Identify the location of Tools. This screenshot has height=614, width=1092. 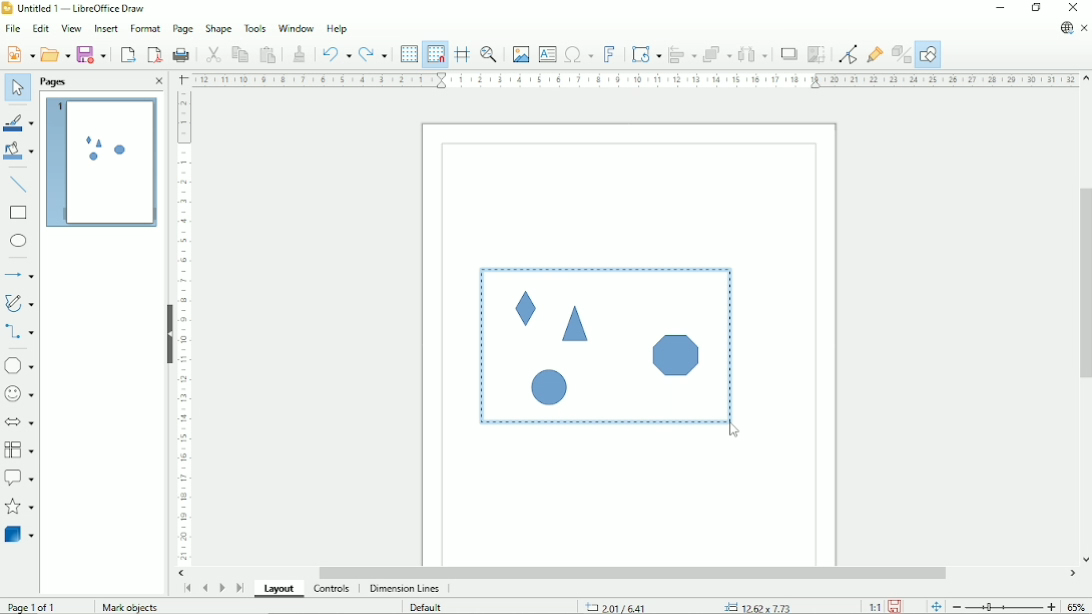
(255, 27).